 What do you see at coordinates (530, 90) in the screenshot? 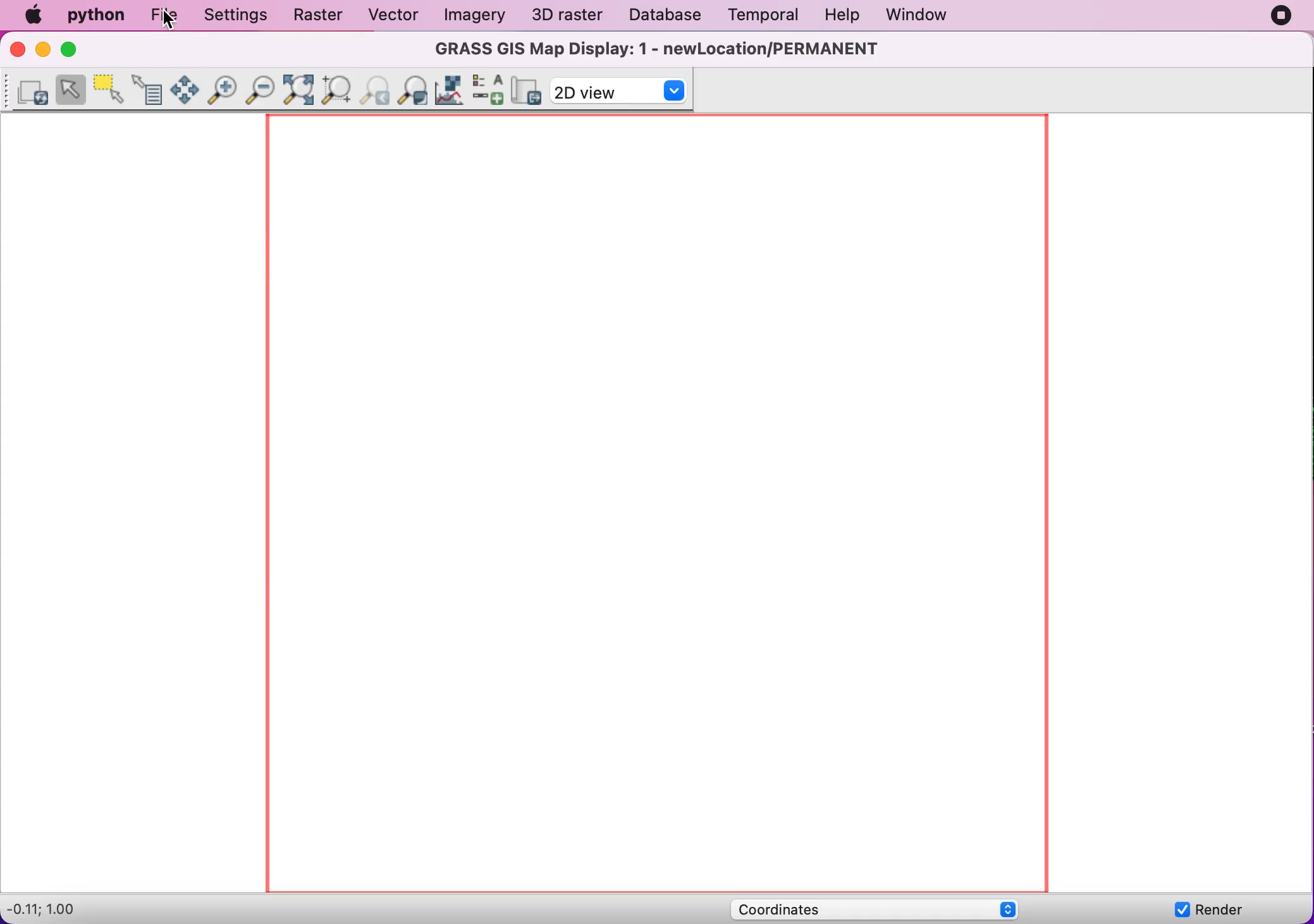
I see `save display to graphic file` at bounding box center [530, 90].